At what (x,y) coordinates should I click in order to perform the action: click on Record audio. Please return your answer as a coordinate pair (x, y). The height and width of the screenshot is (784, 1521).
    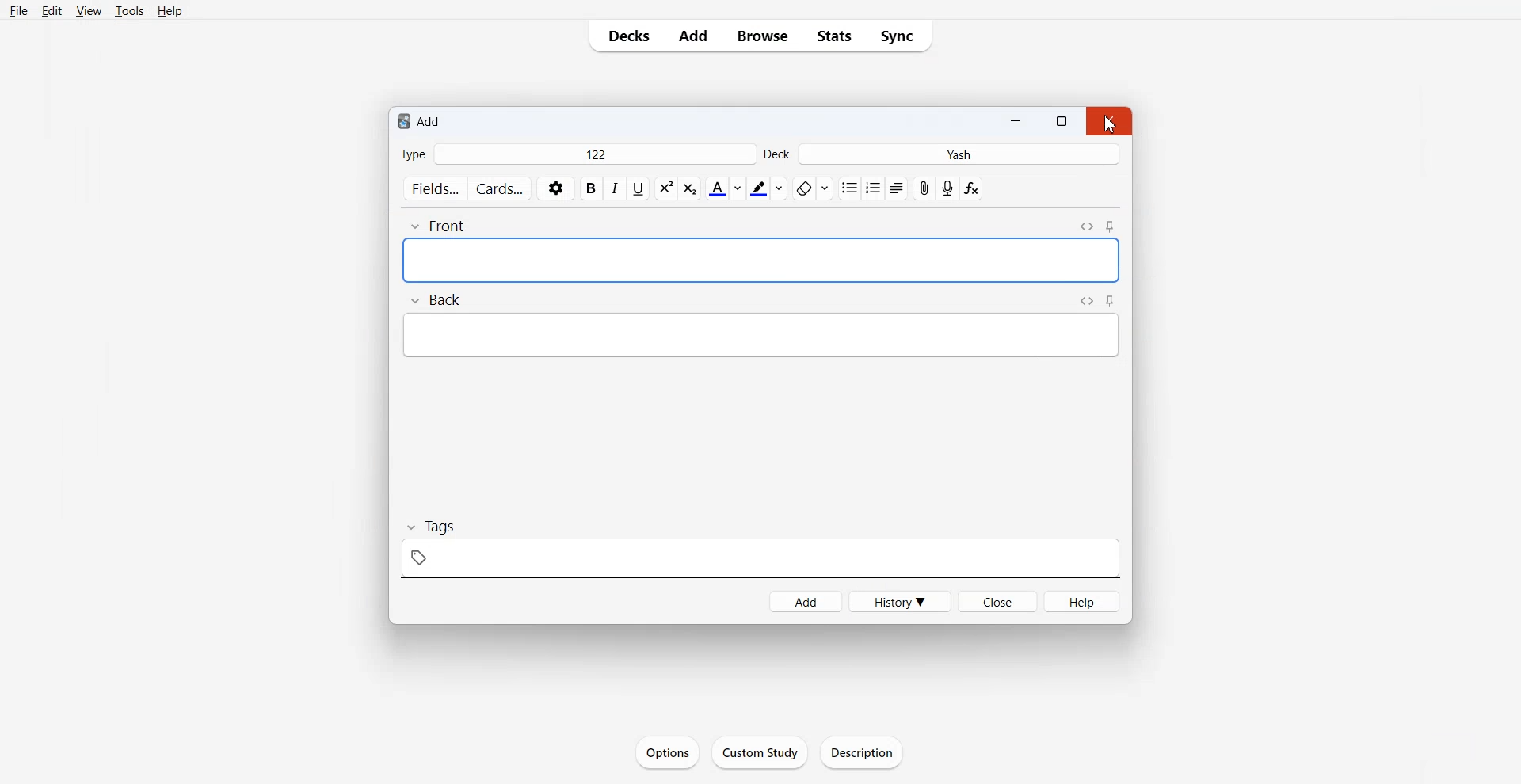
    Looking at the image, I should click on (947, 188).